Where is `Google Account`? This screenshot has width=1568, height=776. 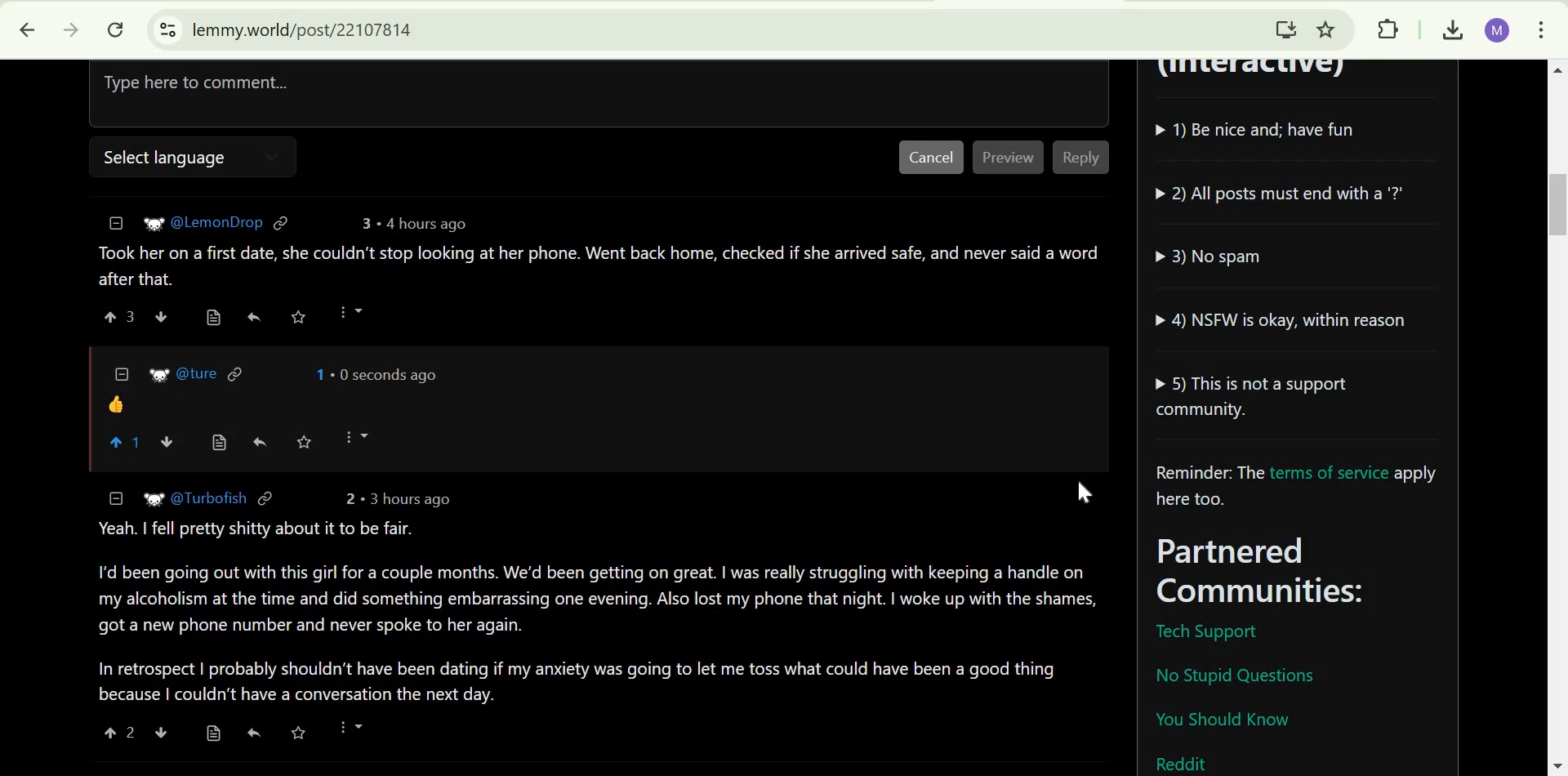
Google Account is located at coordinates (1497, 31).